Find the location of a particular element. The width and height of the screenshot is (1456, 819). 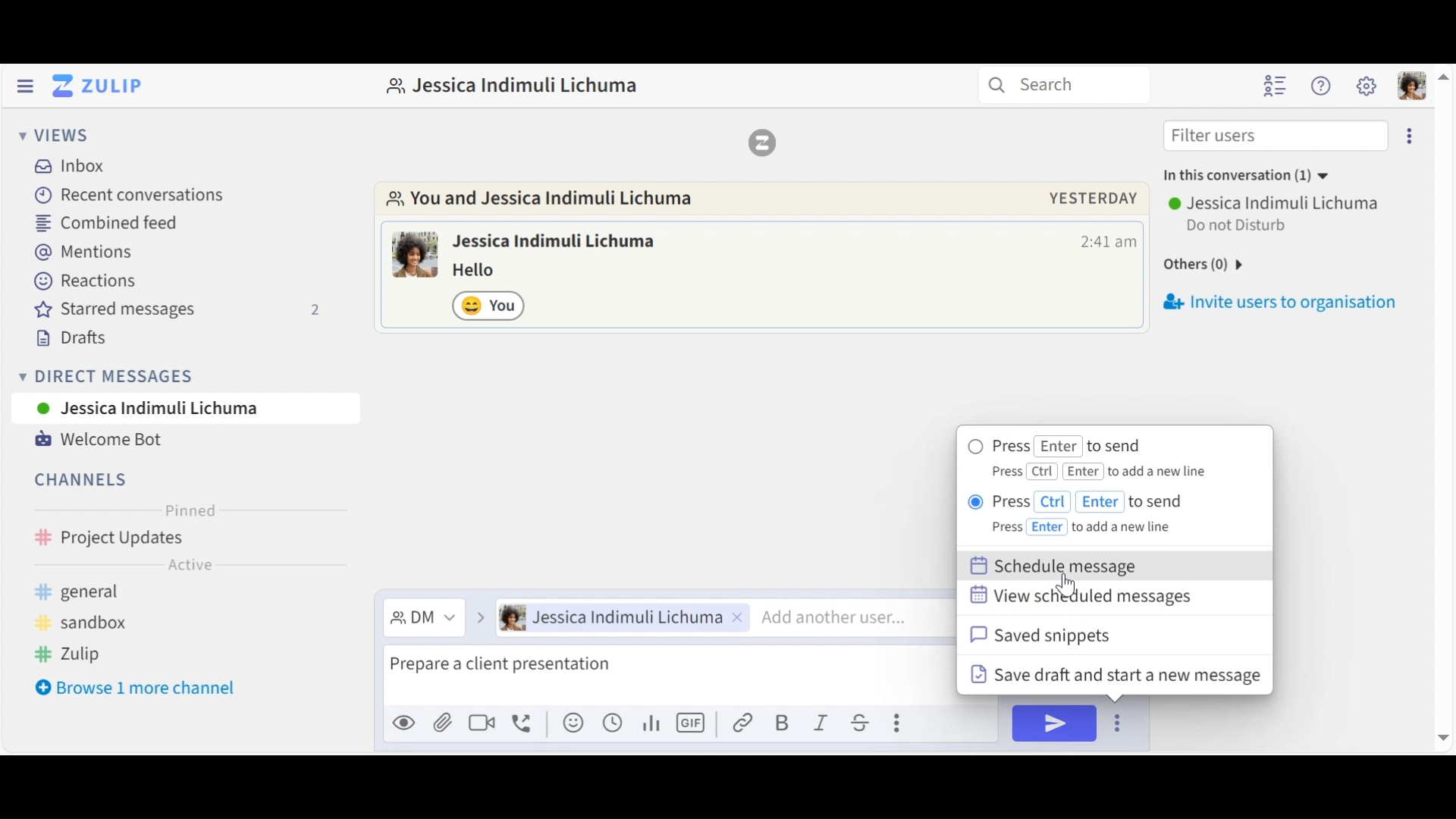

Compose actions is located at coordinates (896, 720).